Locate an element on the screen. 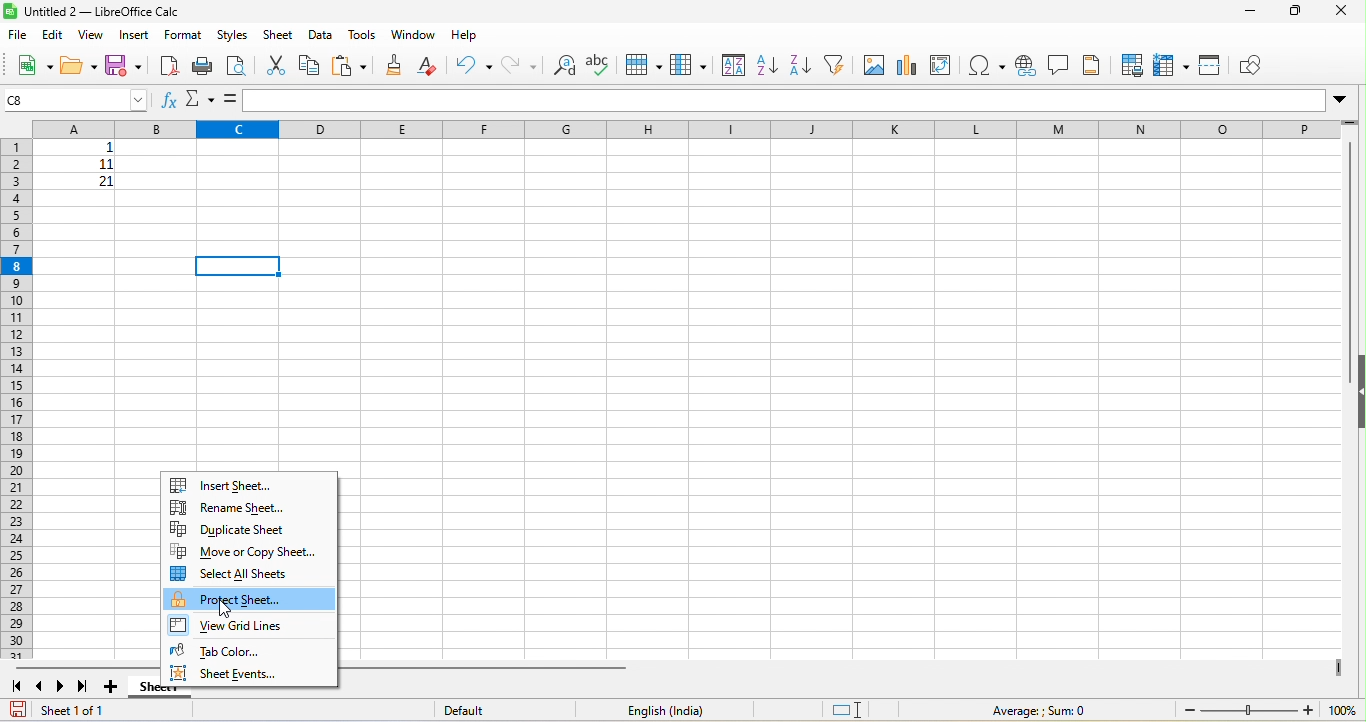  column headings is located at coordinates (676, 127).